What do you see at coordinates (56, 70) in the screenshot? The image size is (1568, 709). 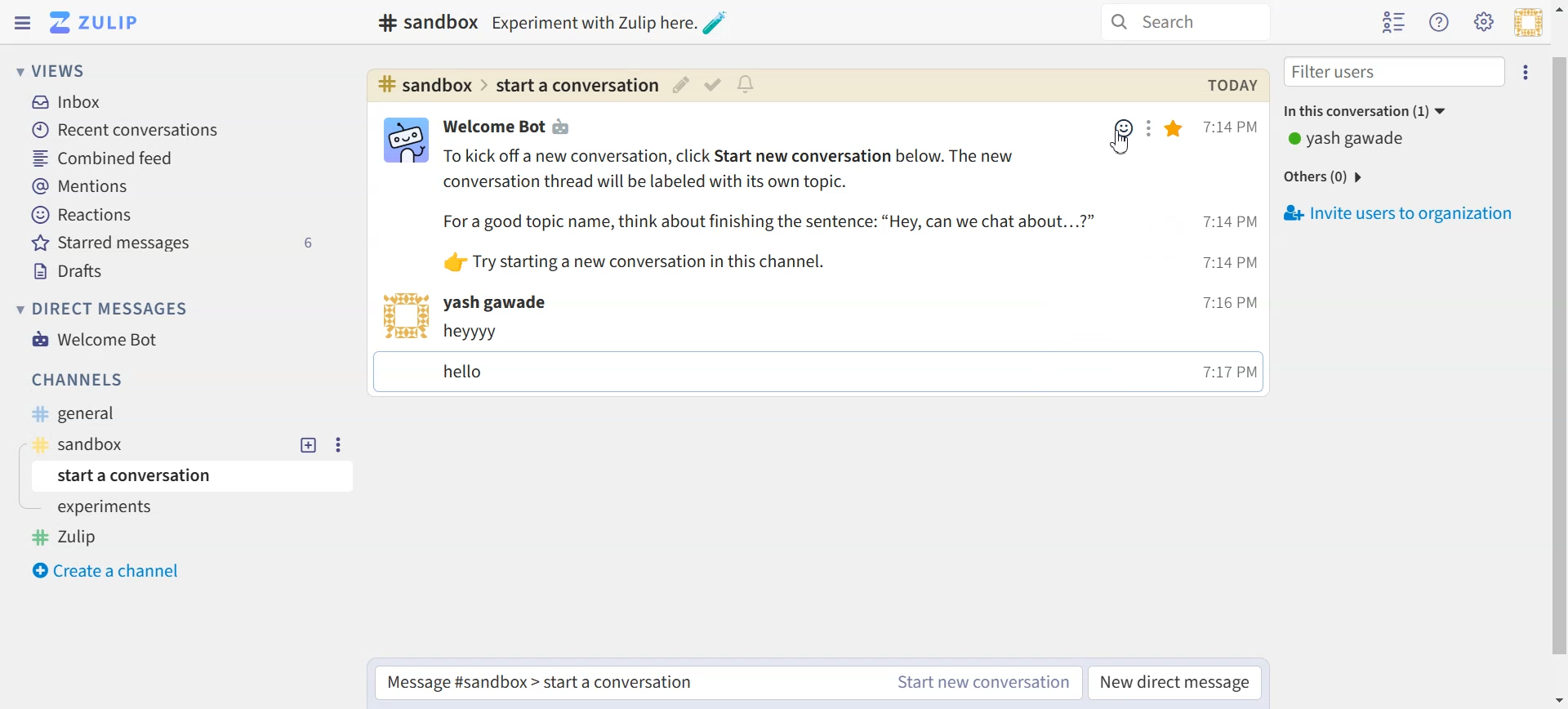 I see `Views` at bounding box center [56, 70].